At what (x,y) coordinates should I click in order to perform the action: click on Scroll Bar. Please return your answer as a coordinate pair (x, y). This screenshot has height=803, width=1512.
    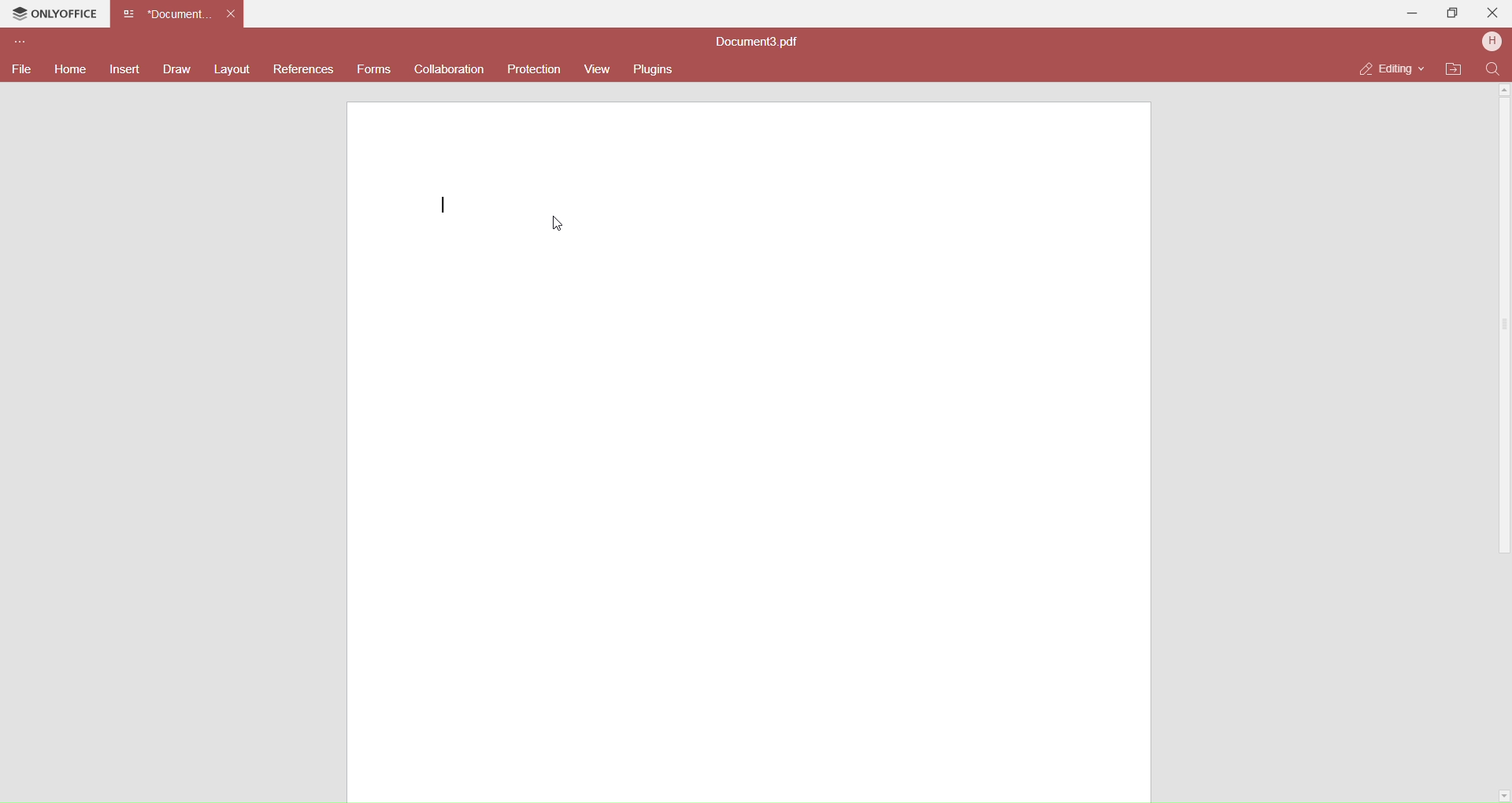
    Looking at the image, I should click on (1502, 327).